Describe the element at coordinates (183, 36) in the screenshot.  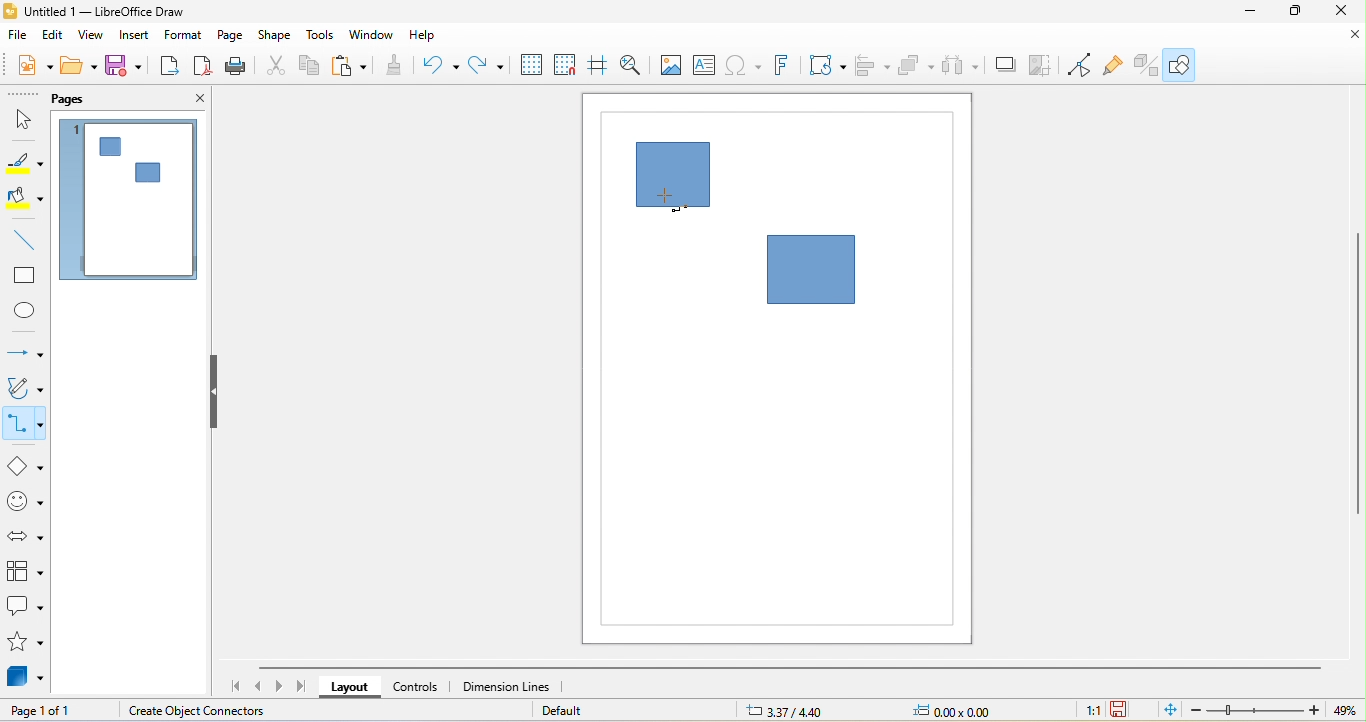
I see `format` at that location.